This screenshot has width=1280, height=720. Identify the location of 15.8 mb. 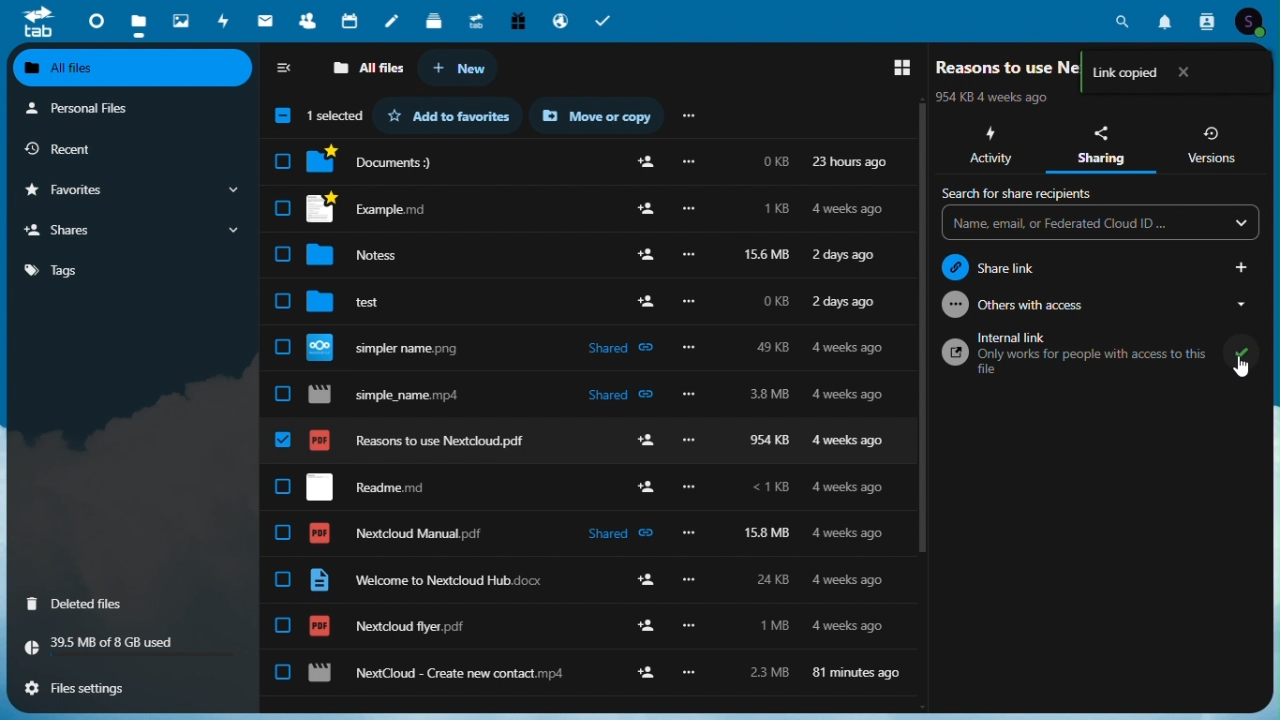
(763, 531).